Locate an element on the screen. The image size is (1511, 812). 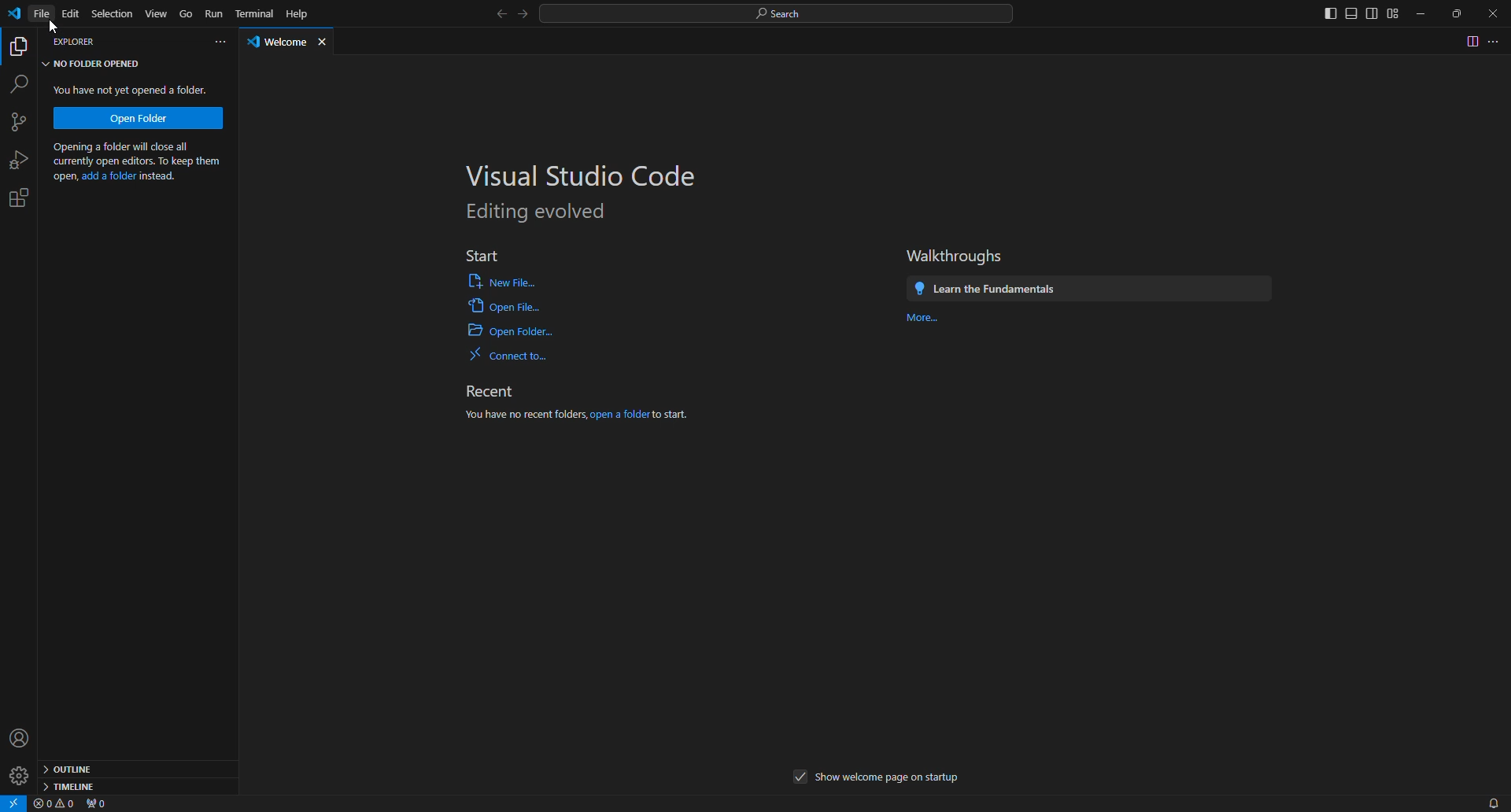
no problems is located at coordinates (55, 804).